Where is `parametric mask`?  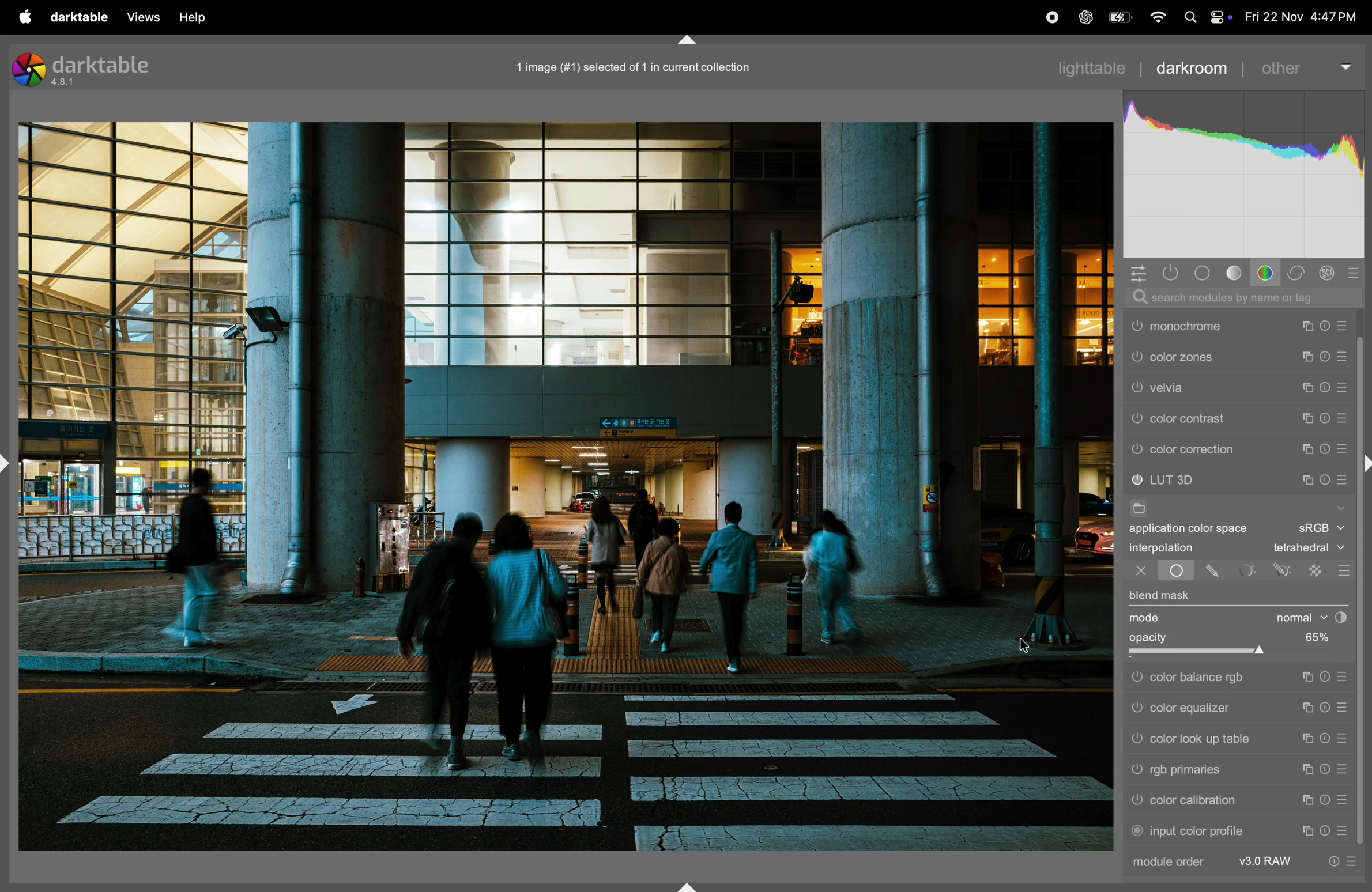
parametric mask is located at coordinates (1248, 570).